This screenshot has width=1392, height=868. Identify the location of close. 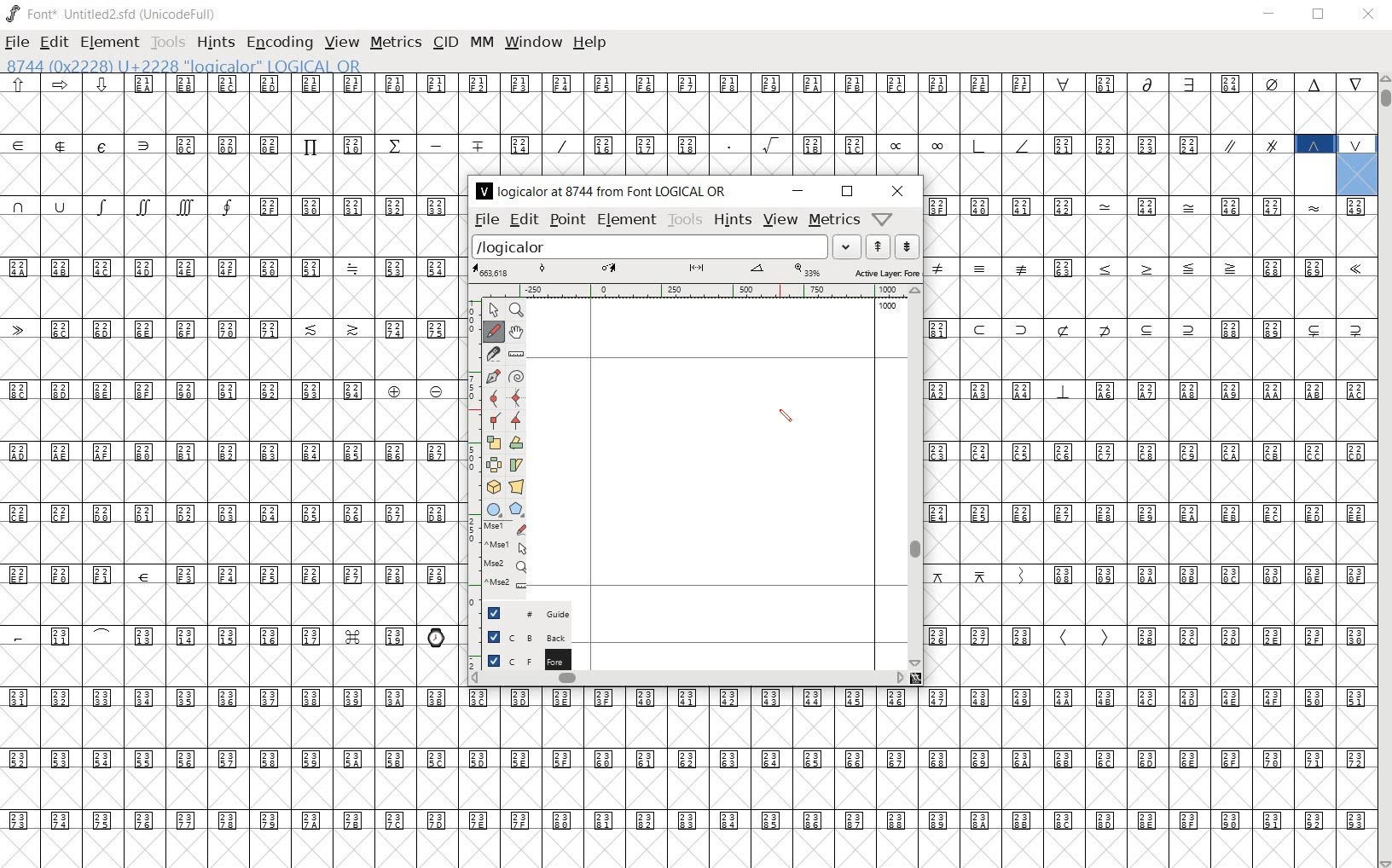
(896, 193).